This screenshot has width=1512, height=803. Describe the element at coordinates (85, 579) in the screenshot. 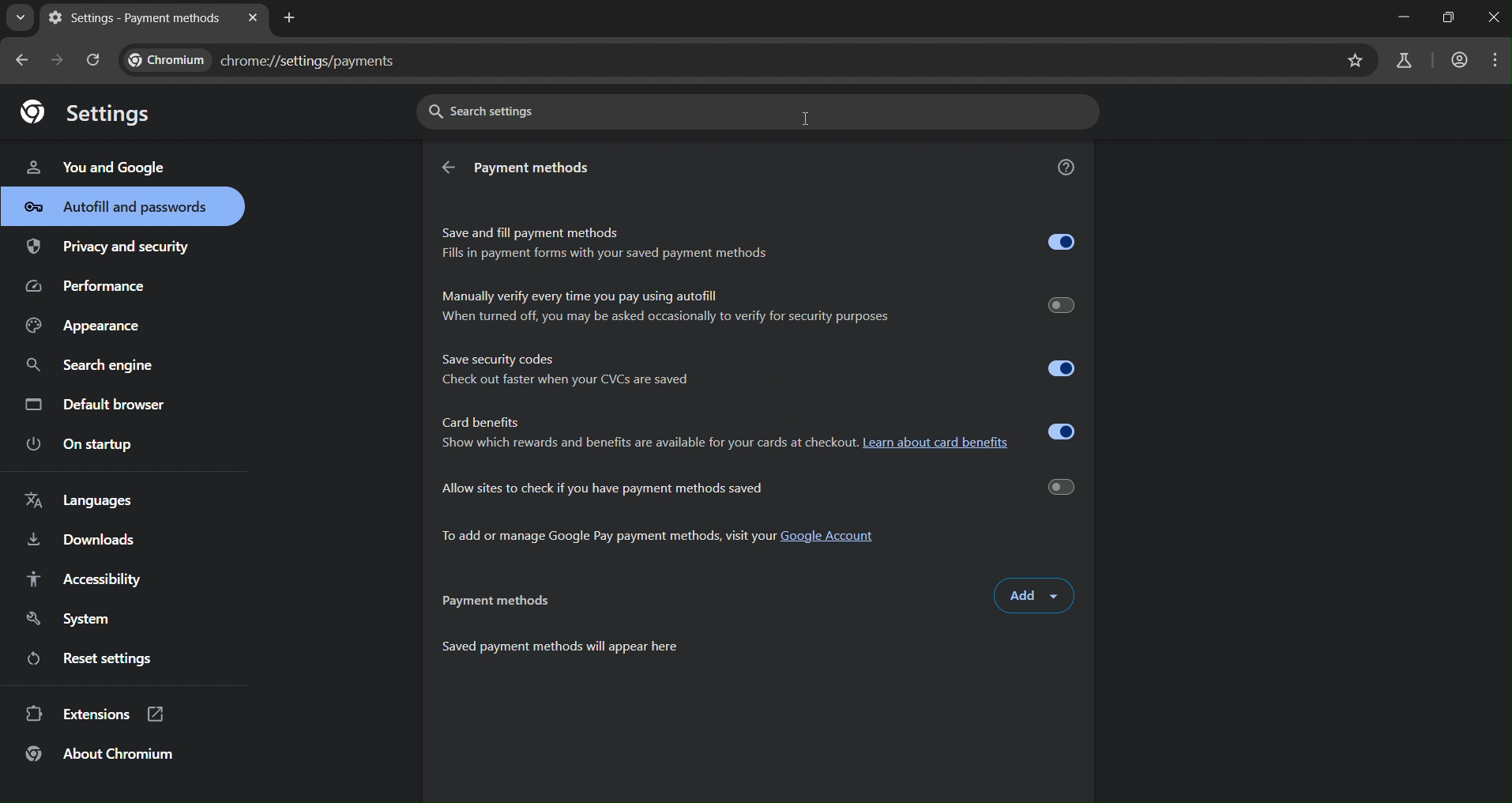

I see `accessibility` at that location.